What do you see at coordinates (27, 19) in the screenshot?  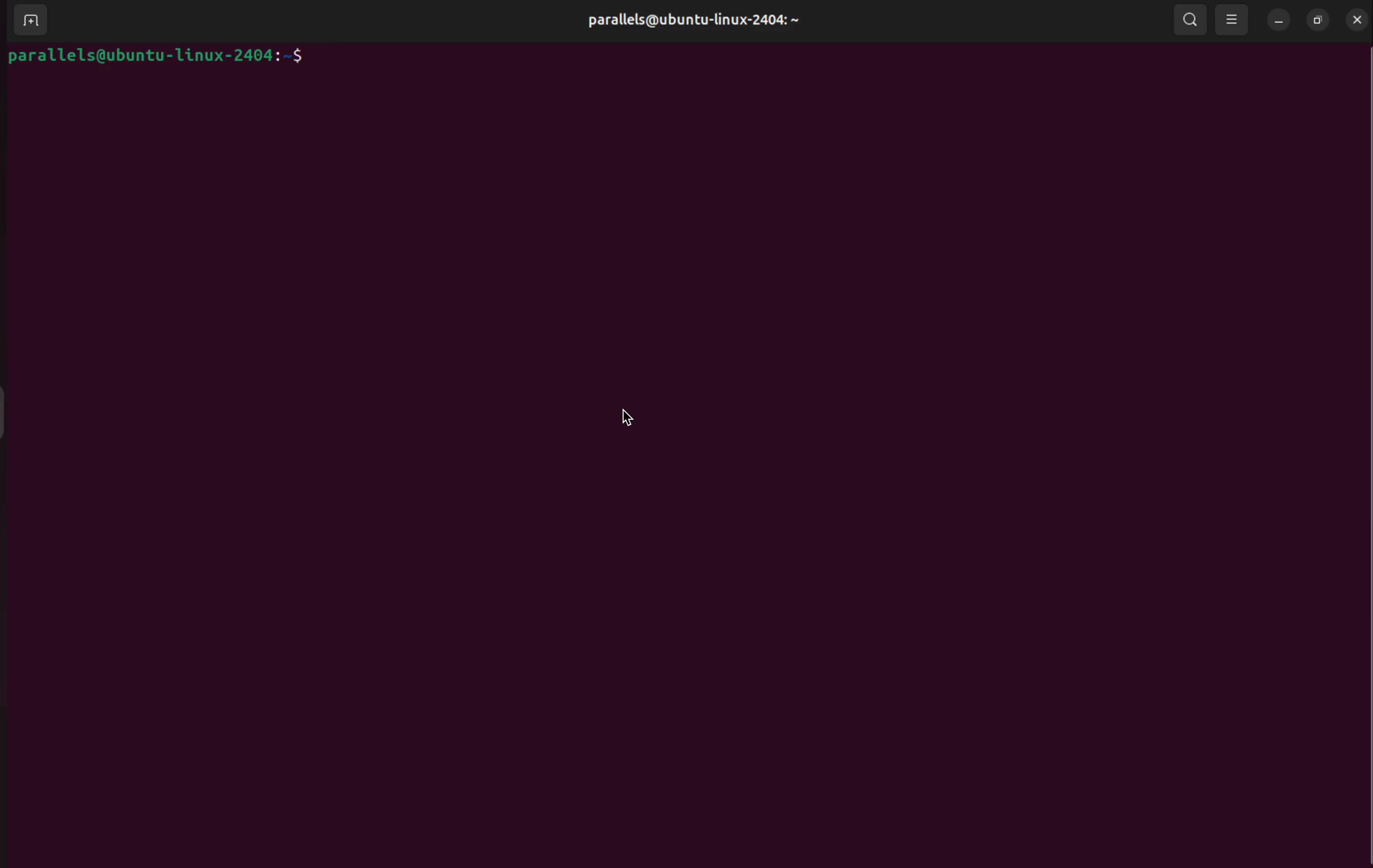 I see `add terminal` at bounding box center [27, 19].